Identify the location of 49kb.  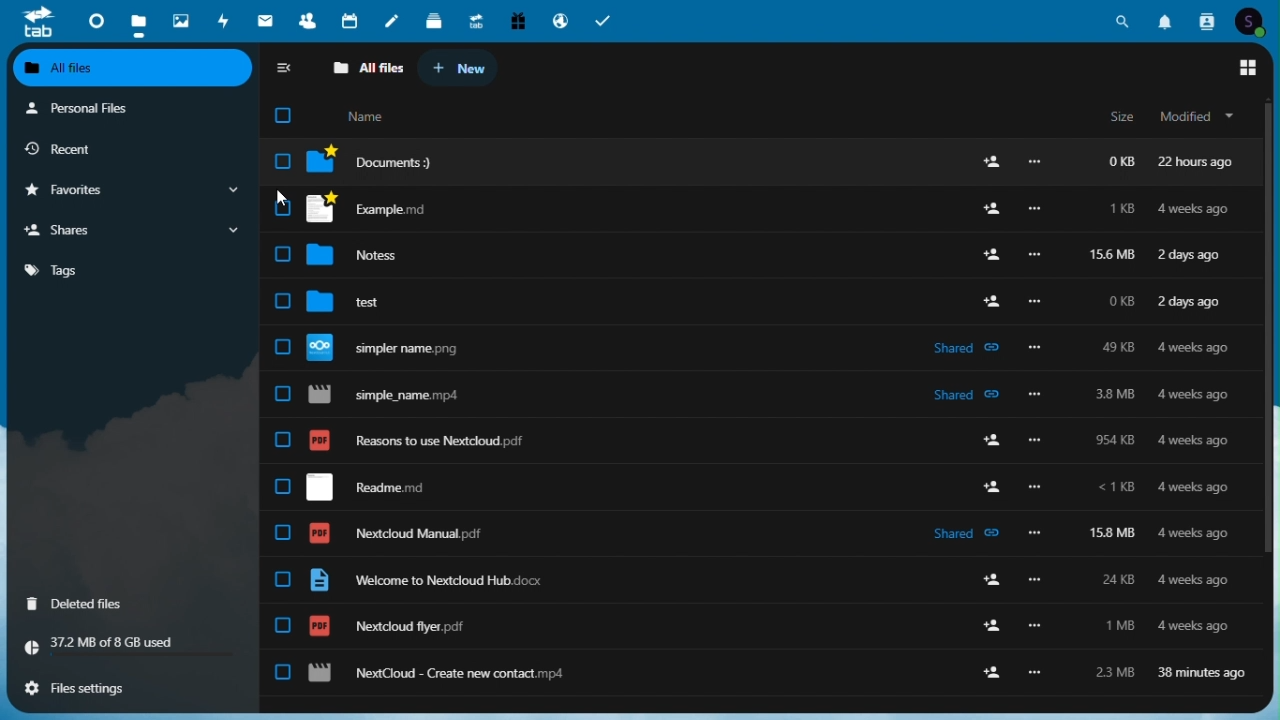
(1116, 347).